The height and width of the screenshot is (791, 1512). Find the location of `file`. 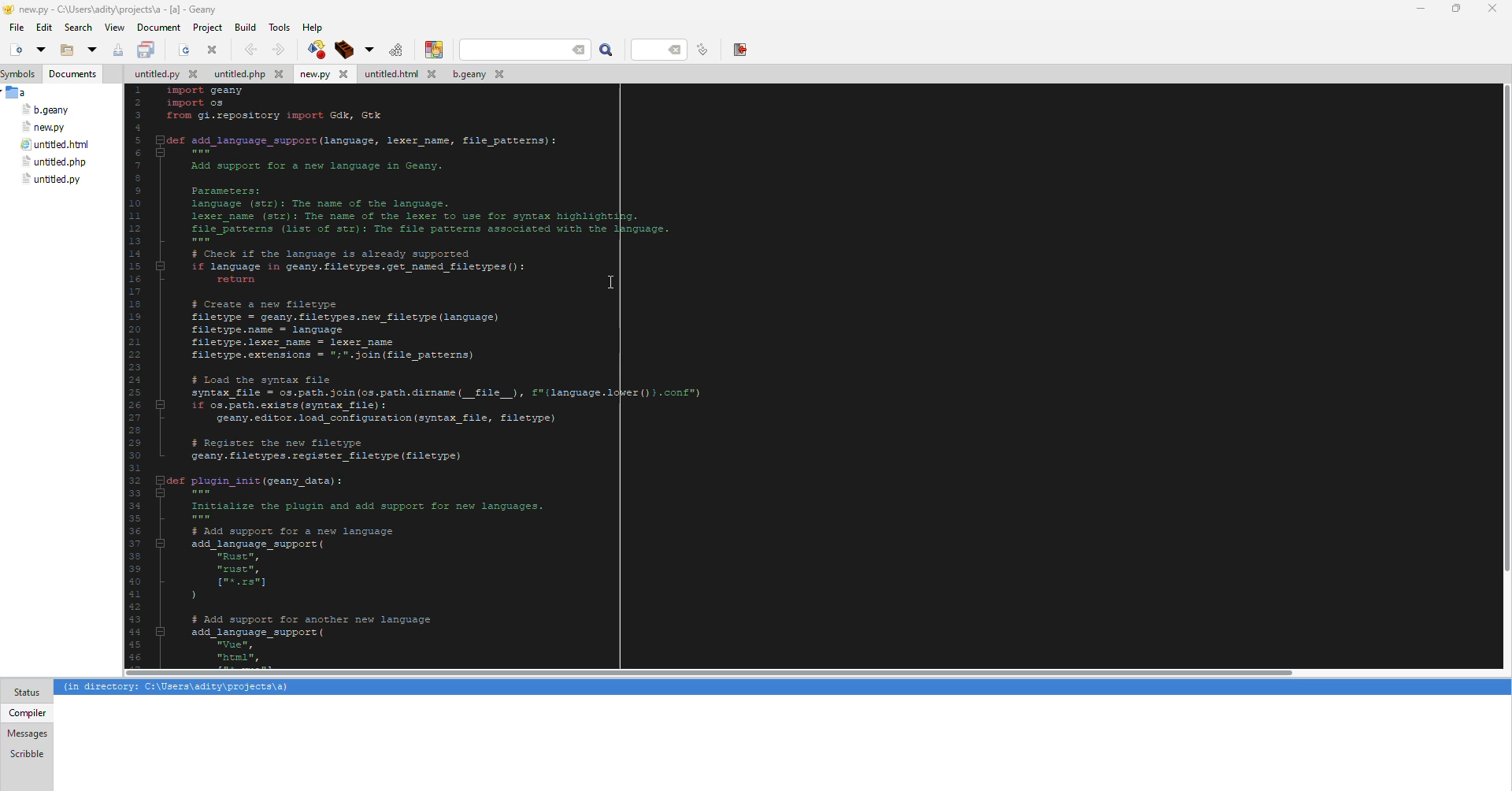

file is located at coordinates (19, 27).